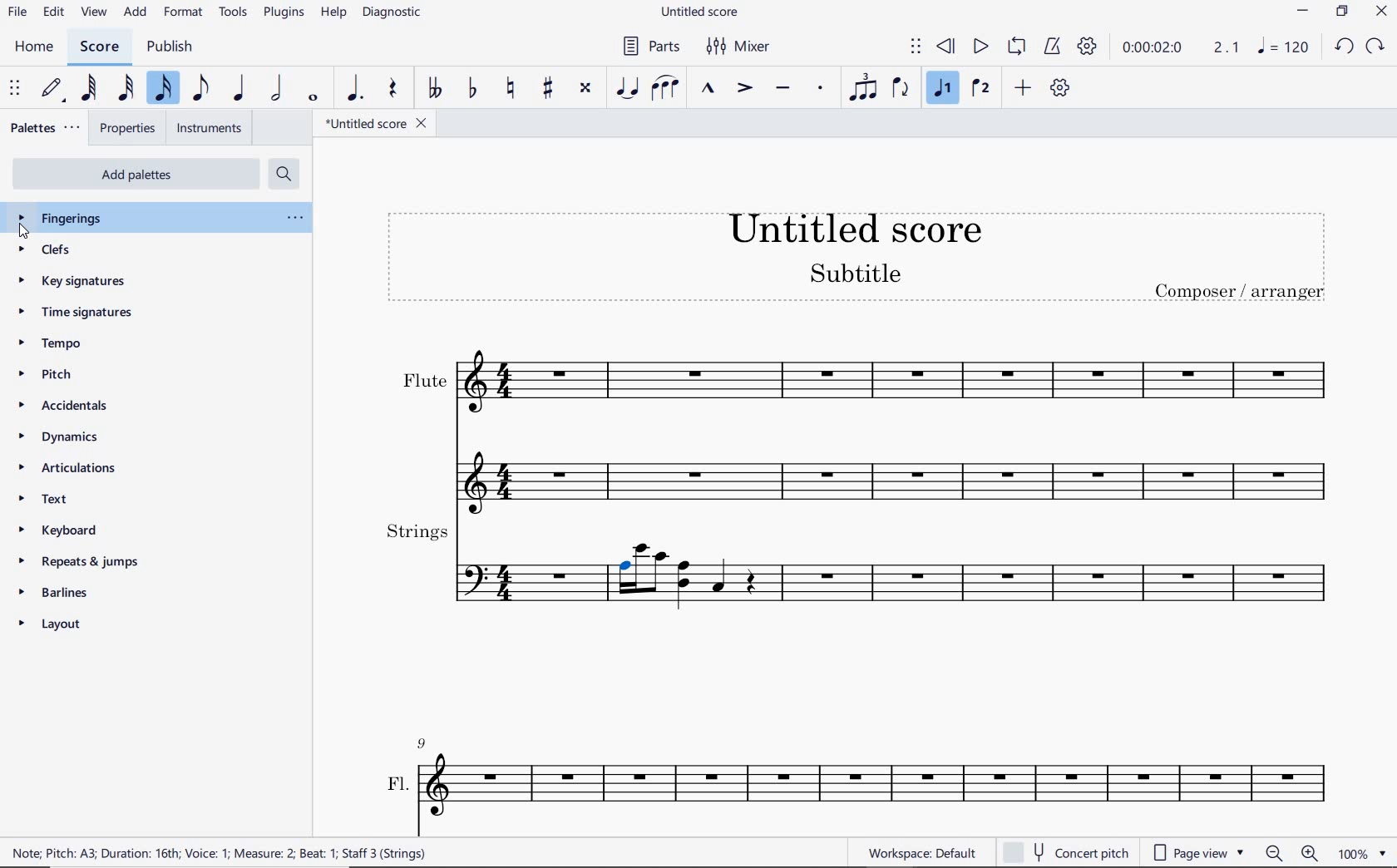 This screenshot has width=1397, height=868. I want to click on instruments, so click(208, 126).